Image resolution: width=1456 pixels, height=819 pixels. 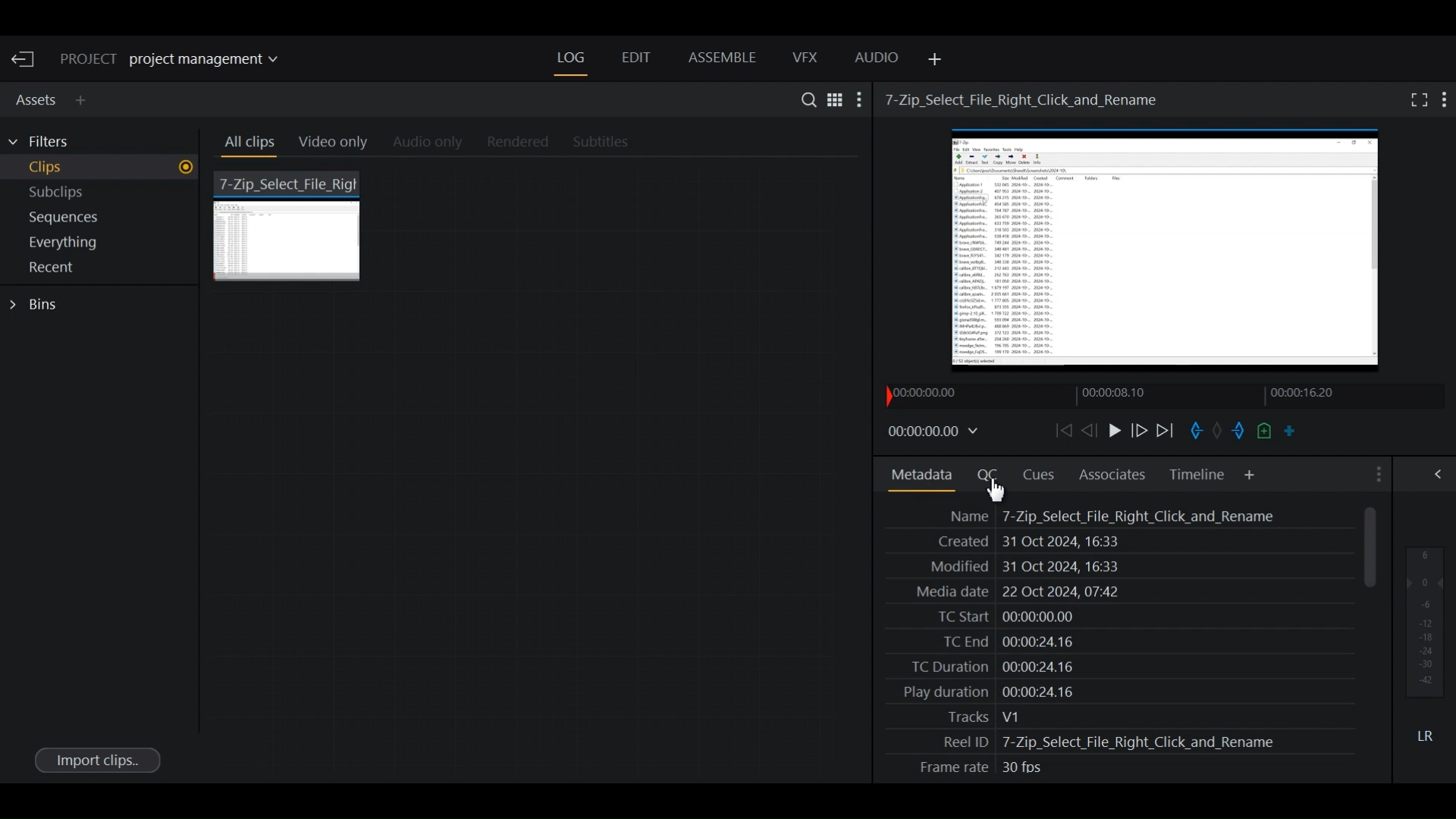 What do you see at coordinates (1098, 541) in the screenshot?
I see `Date created` at bounding box center [1098, 541].